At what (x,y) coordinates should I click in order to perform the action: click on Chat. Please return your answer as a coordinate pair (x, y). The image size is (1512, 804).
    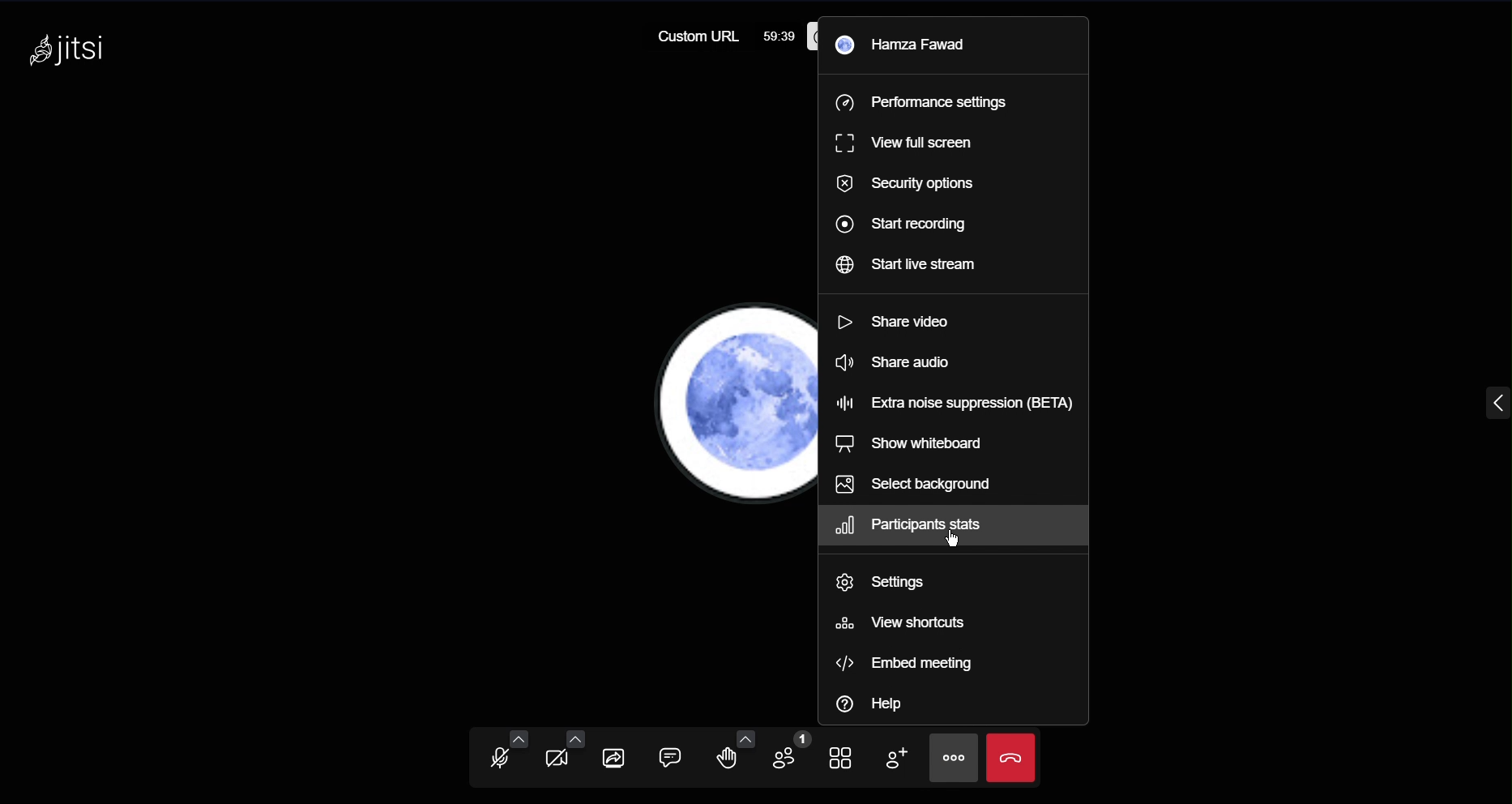
    Looking at the image, I should click on (676, 758).